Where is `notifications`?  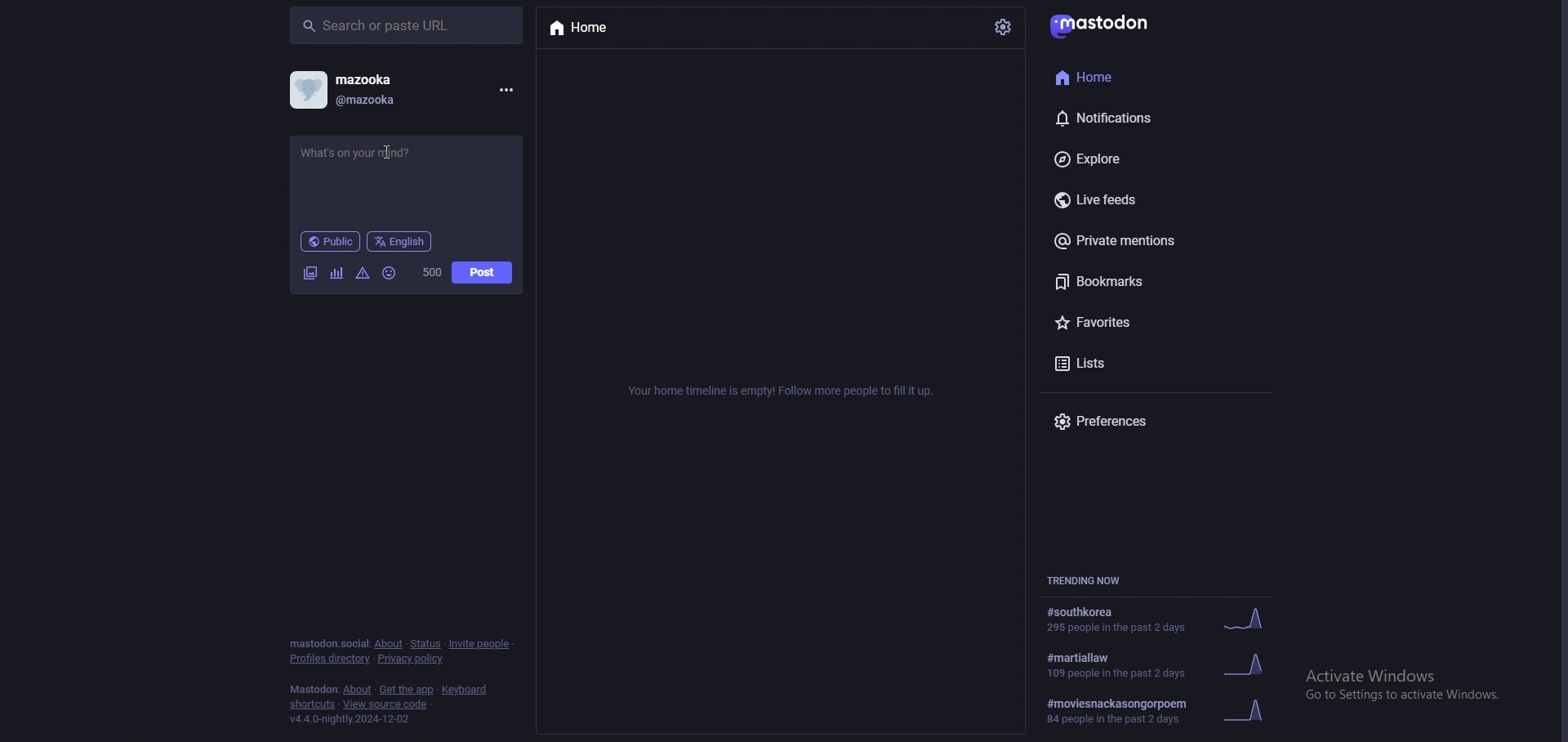 notifications is located at coordinates (1129, 118).